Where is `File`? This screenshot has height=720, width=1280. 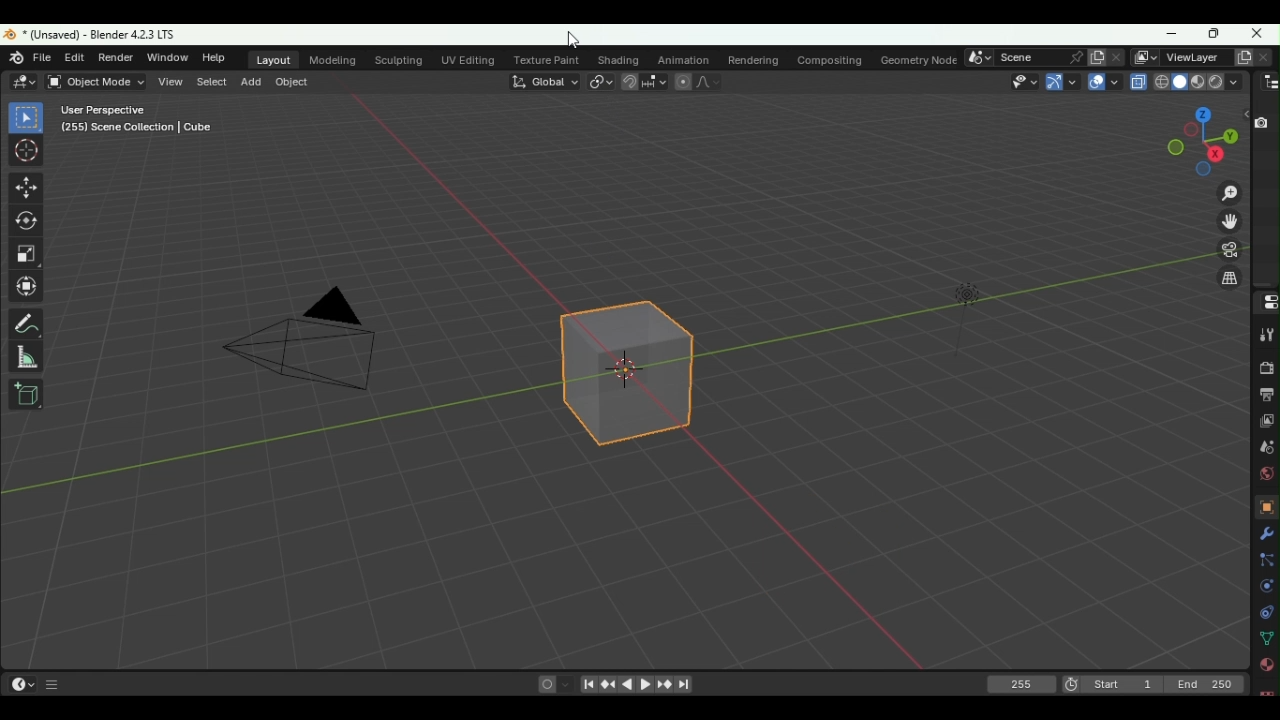
File is located at coordinates (44, 58).